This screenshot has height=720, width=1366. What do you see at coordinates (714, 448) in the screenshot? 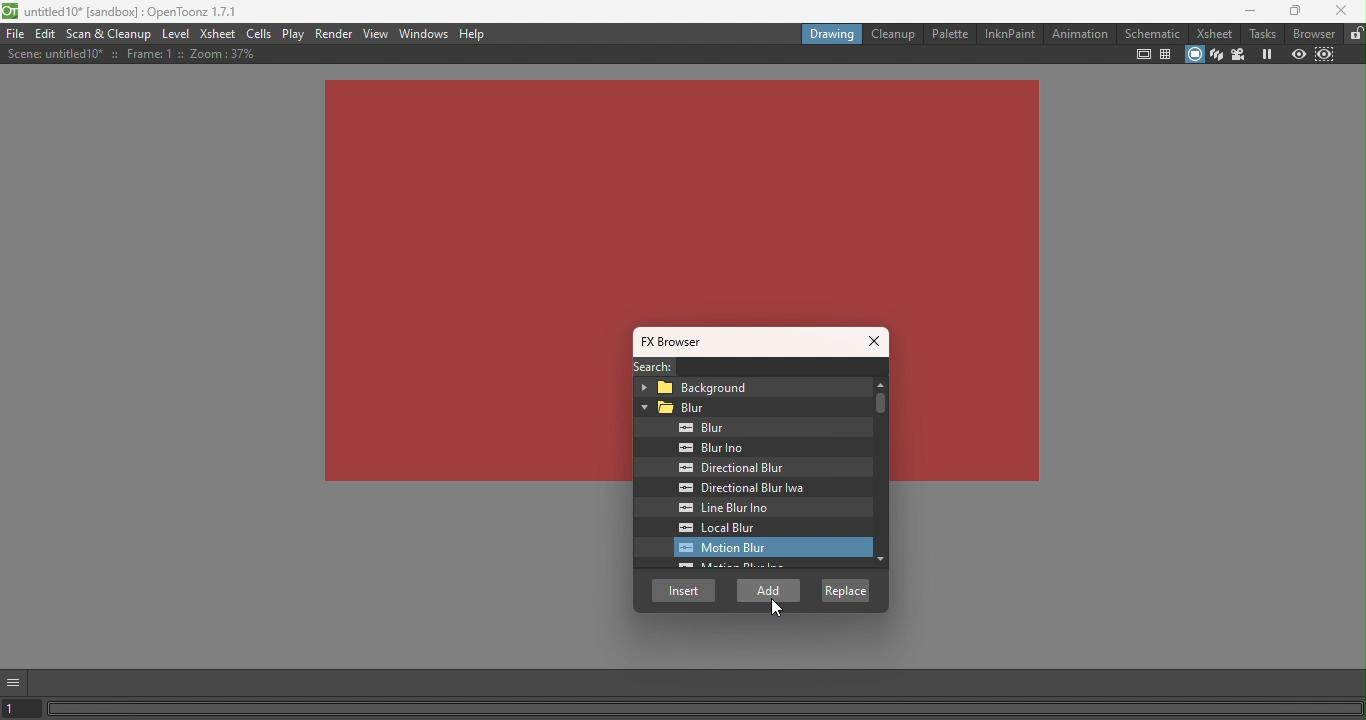
I see `Blur inp` at bounding box center [714, 448].